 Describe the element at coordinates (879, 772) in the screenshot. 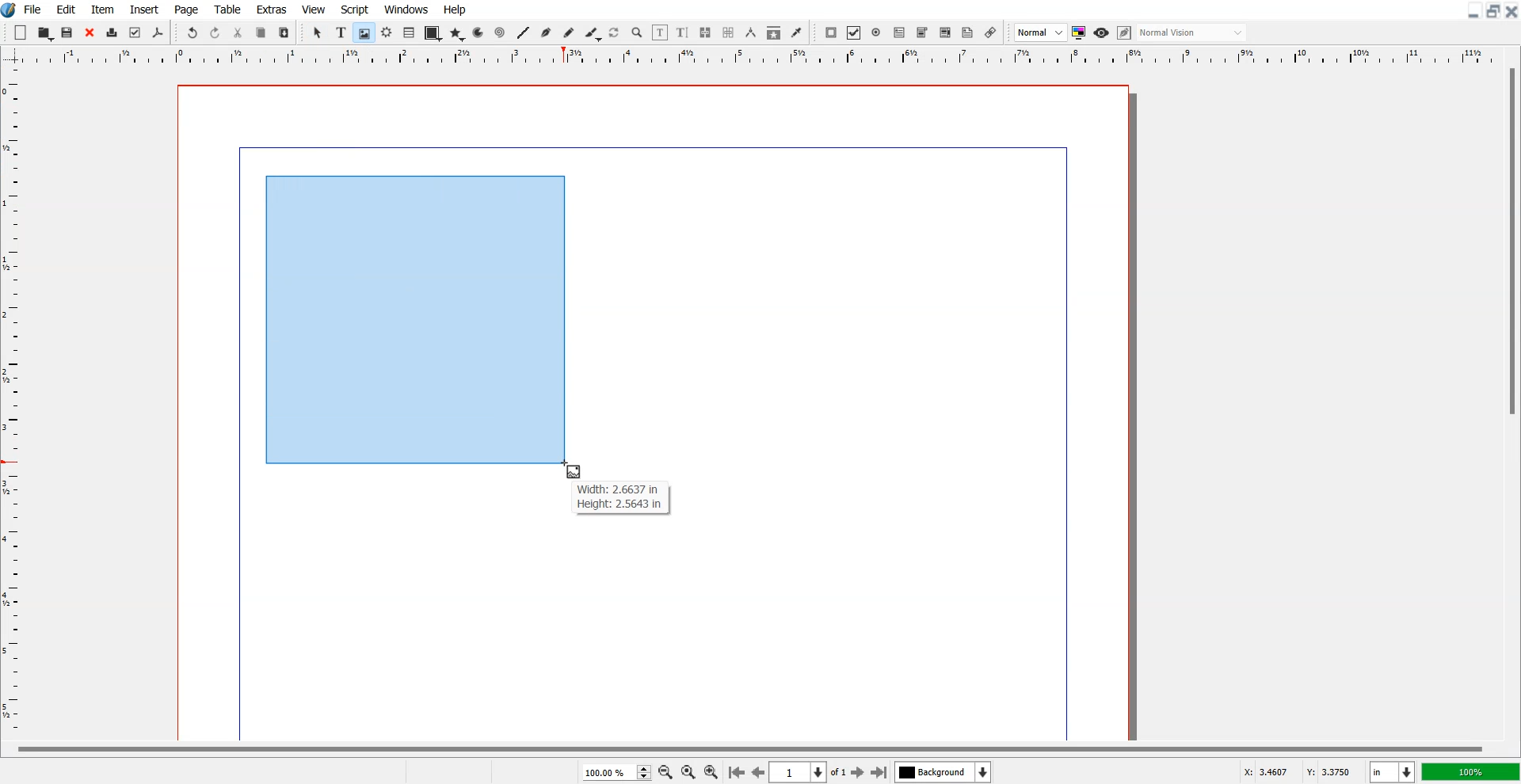

I see `Go to last Page` at that location.